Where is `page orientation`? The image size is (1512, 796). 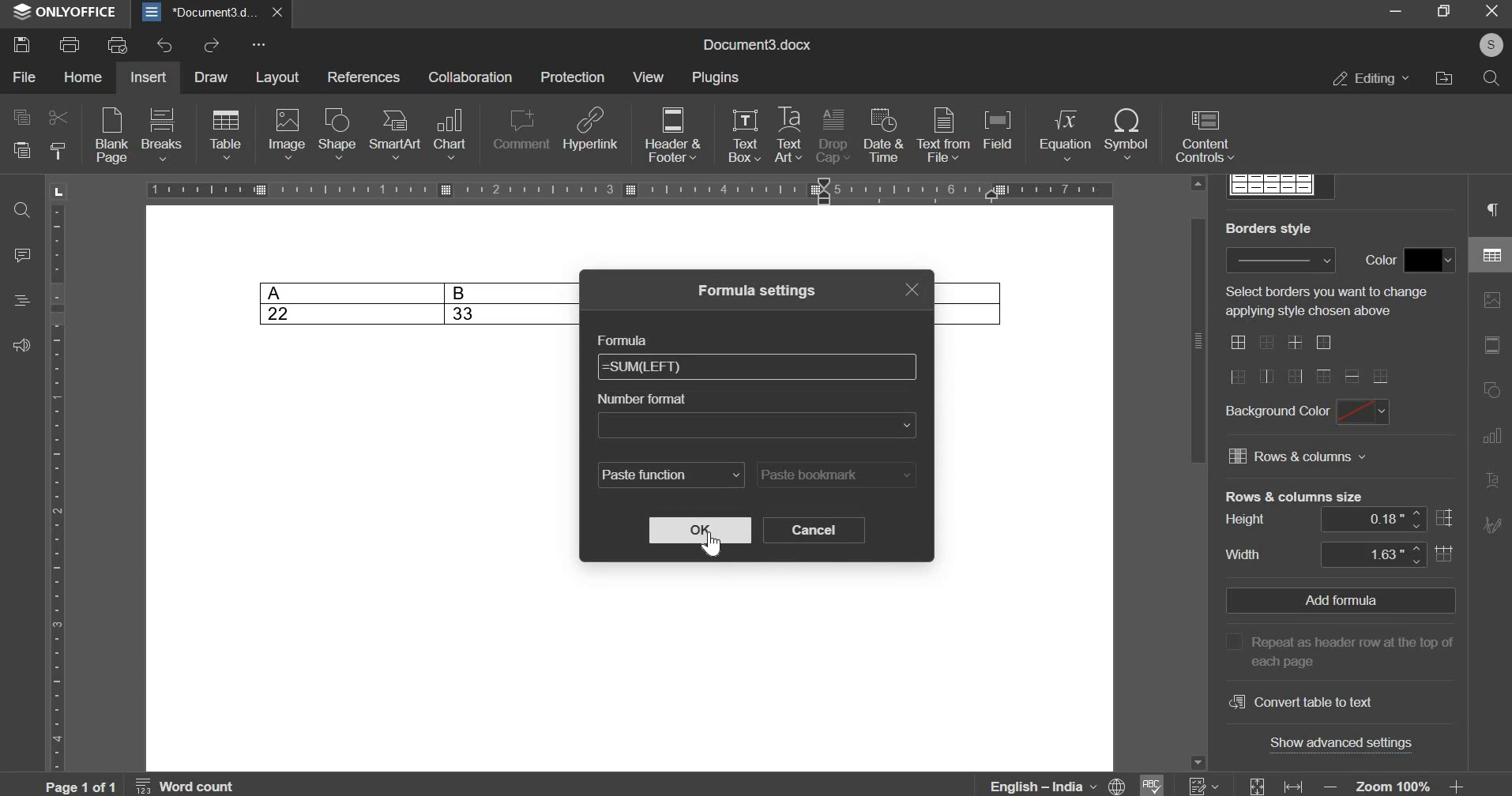 page orientation is located at coordinates (57, 191).